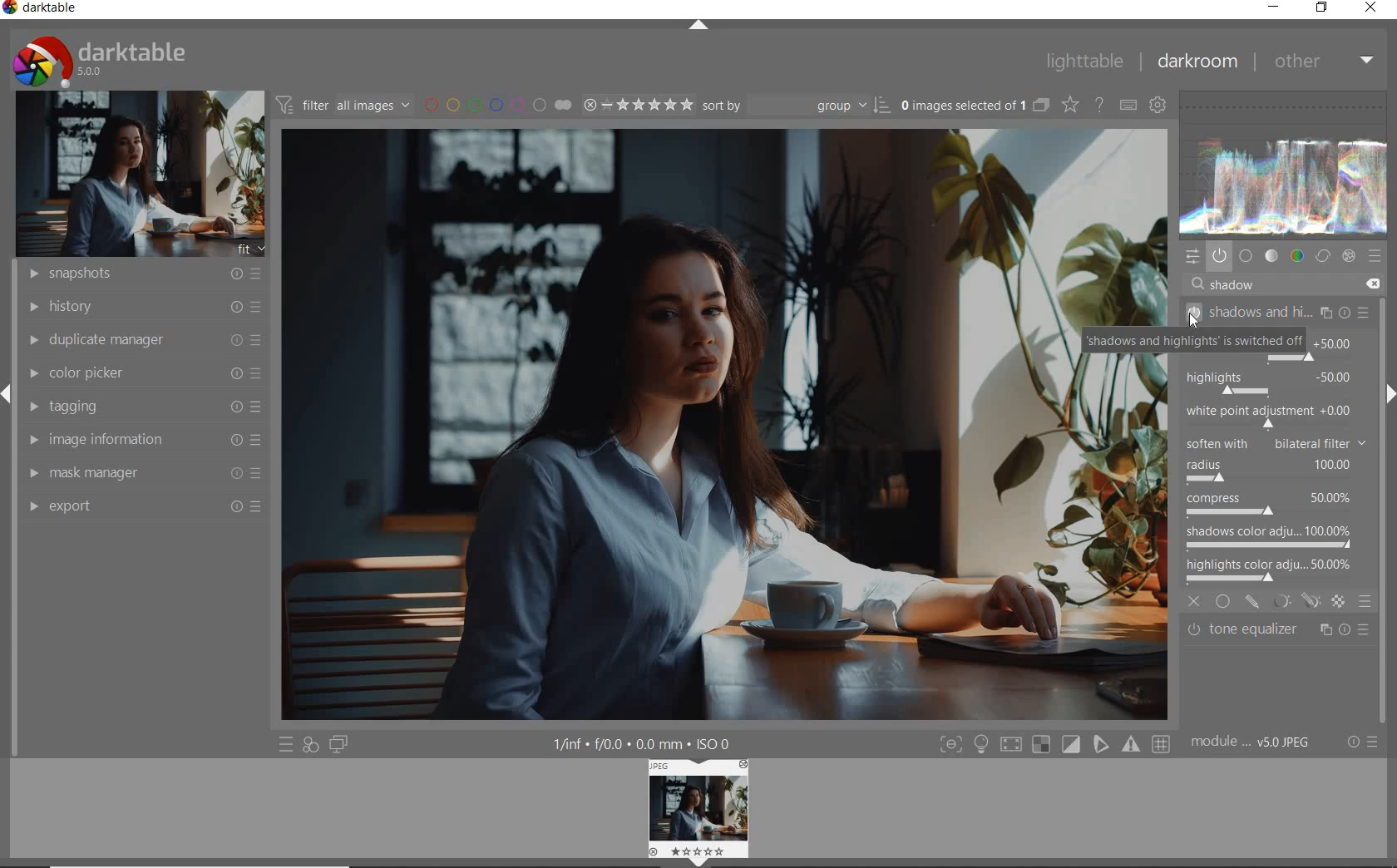 The width and height of the screenshot is (1397, 868). What do you see at coordinates (1194, 258) in the screenshot?
I see `quick access panel` at bounding box center [1194, 258].